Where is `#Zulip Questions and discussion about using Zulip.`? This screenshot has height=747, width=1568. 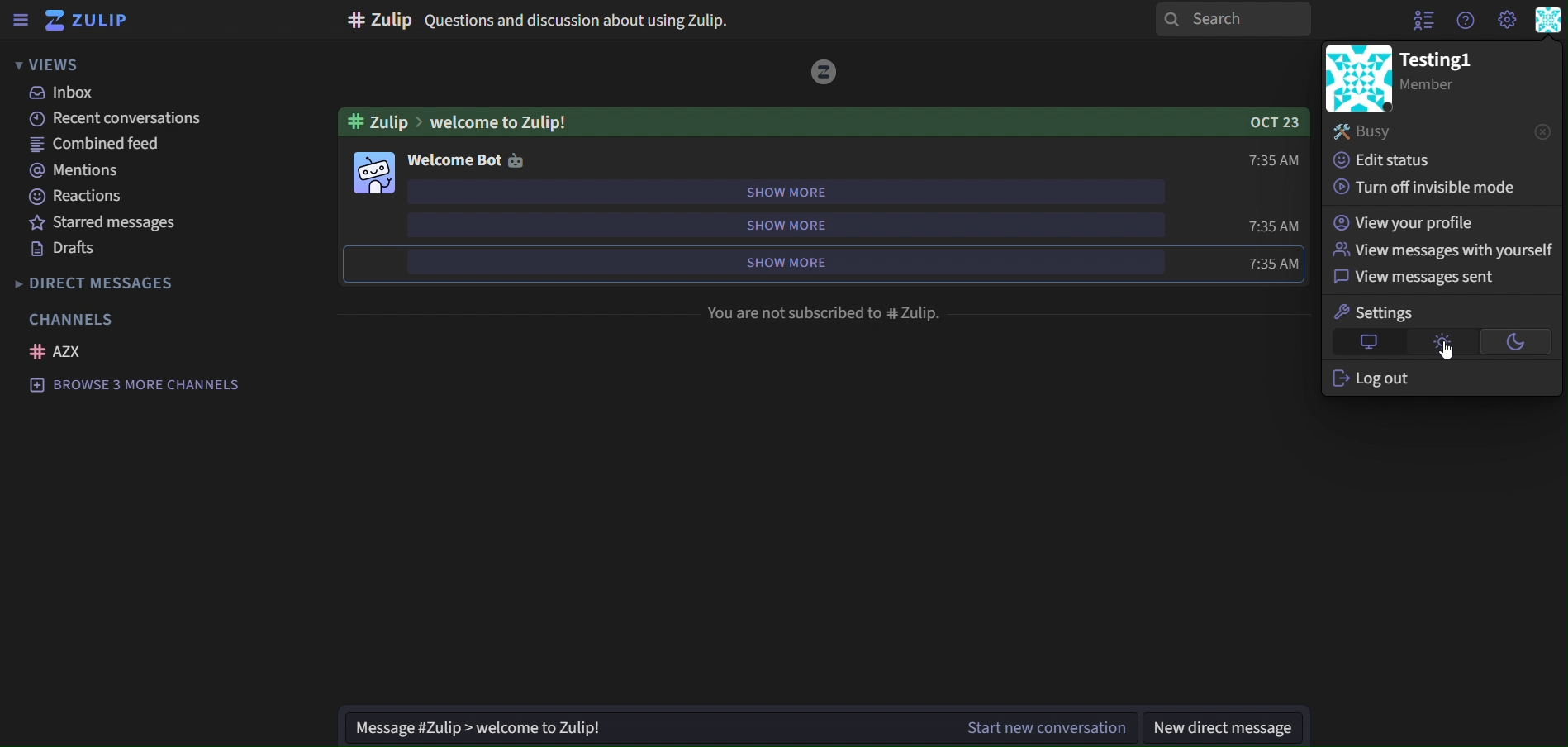 #Zulip Questions and discussion about using Zulip. is located at coordinates (544, 21).